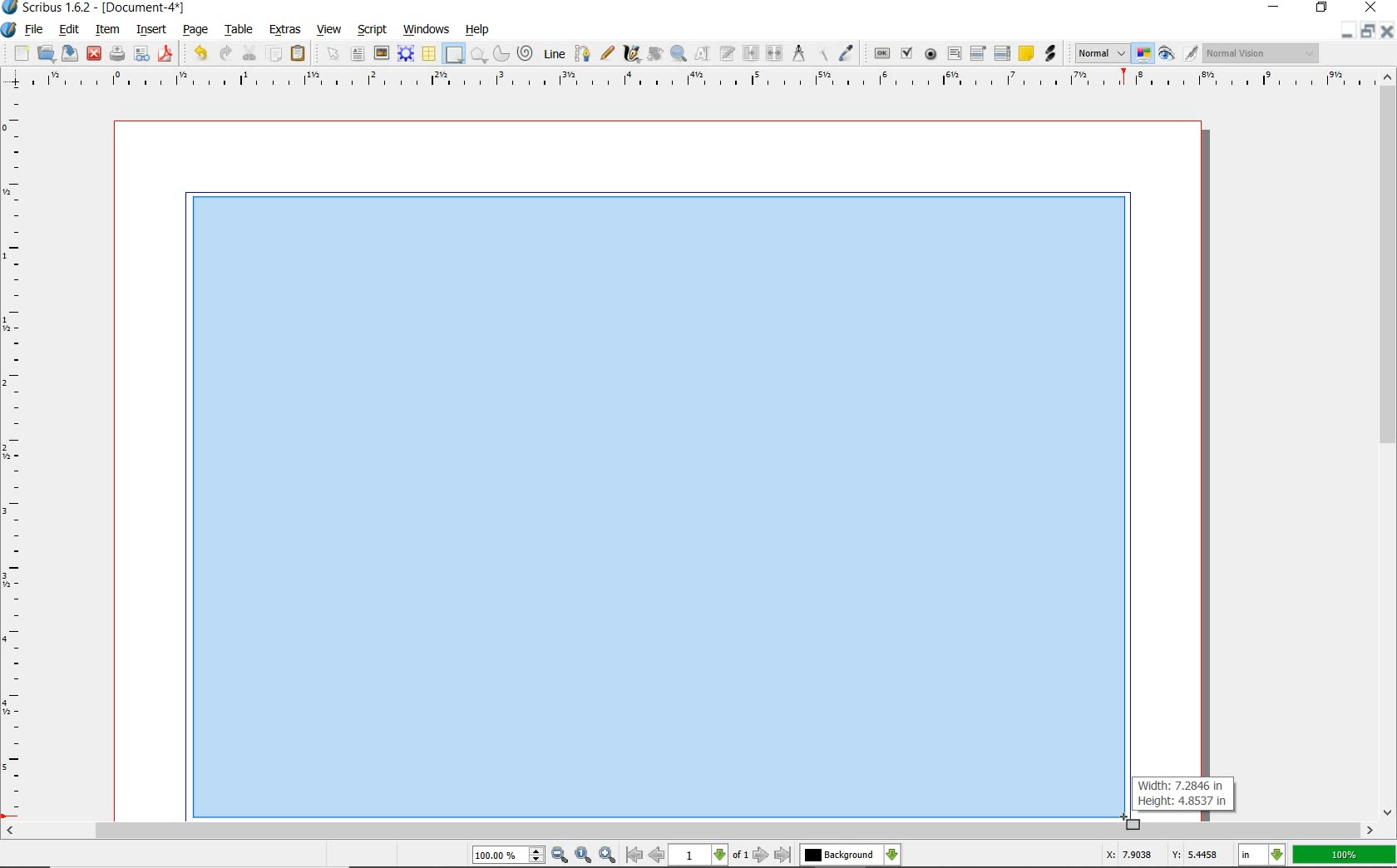  Describe the element at coordinates (1144, 55) in the screenshot. I see `toggle color management` at that location.